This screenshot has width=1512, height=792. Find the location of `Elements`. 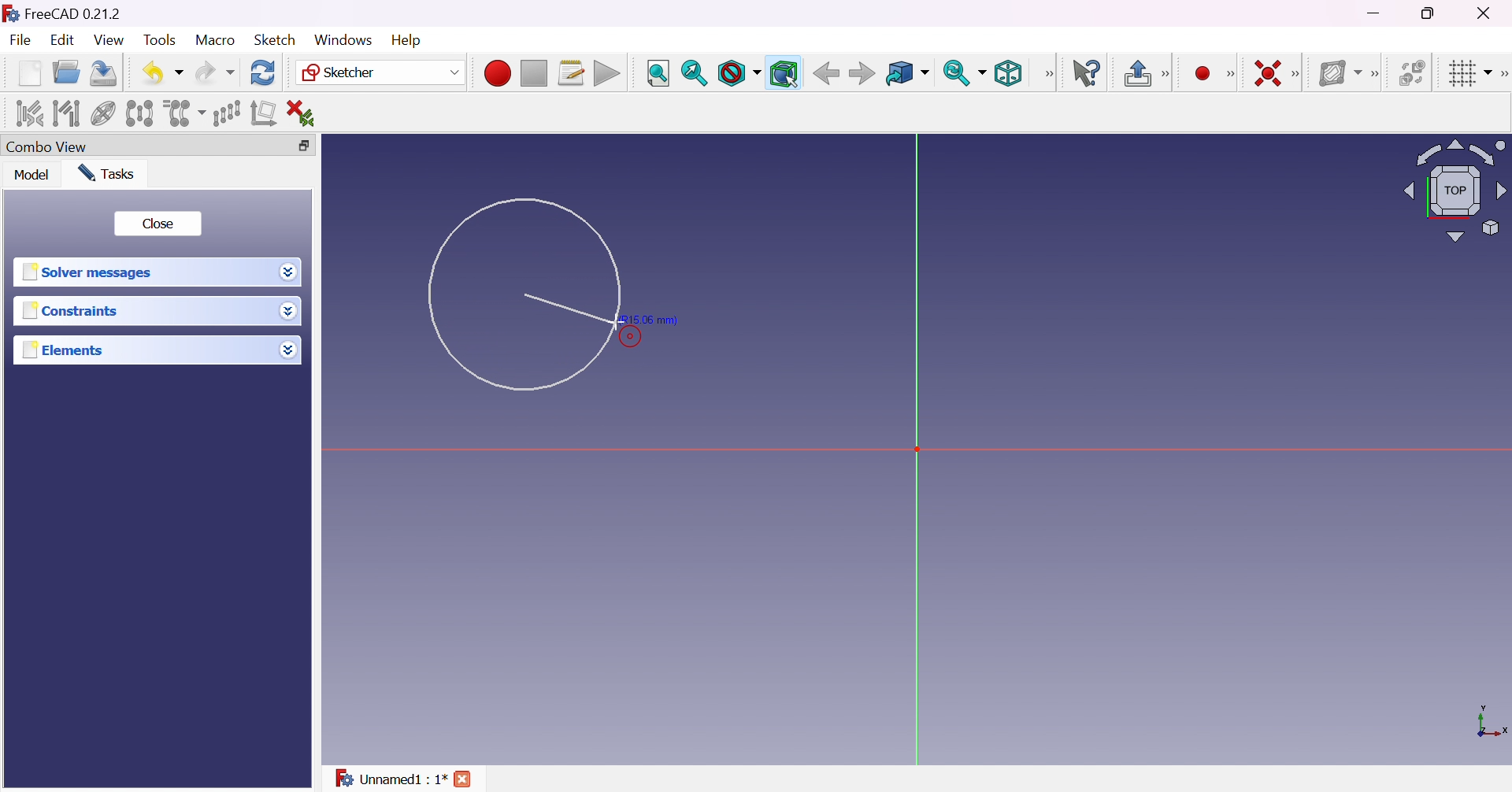

Elements is located at coordinates (65, 350).